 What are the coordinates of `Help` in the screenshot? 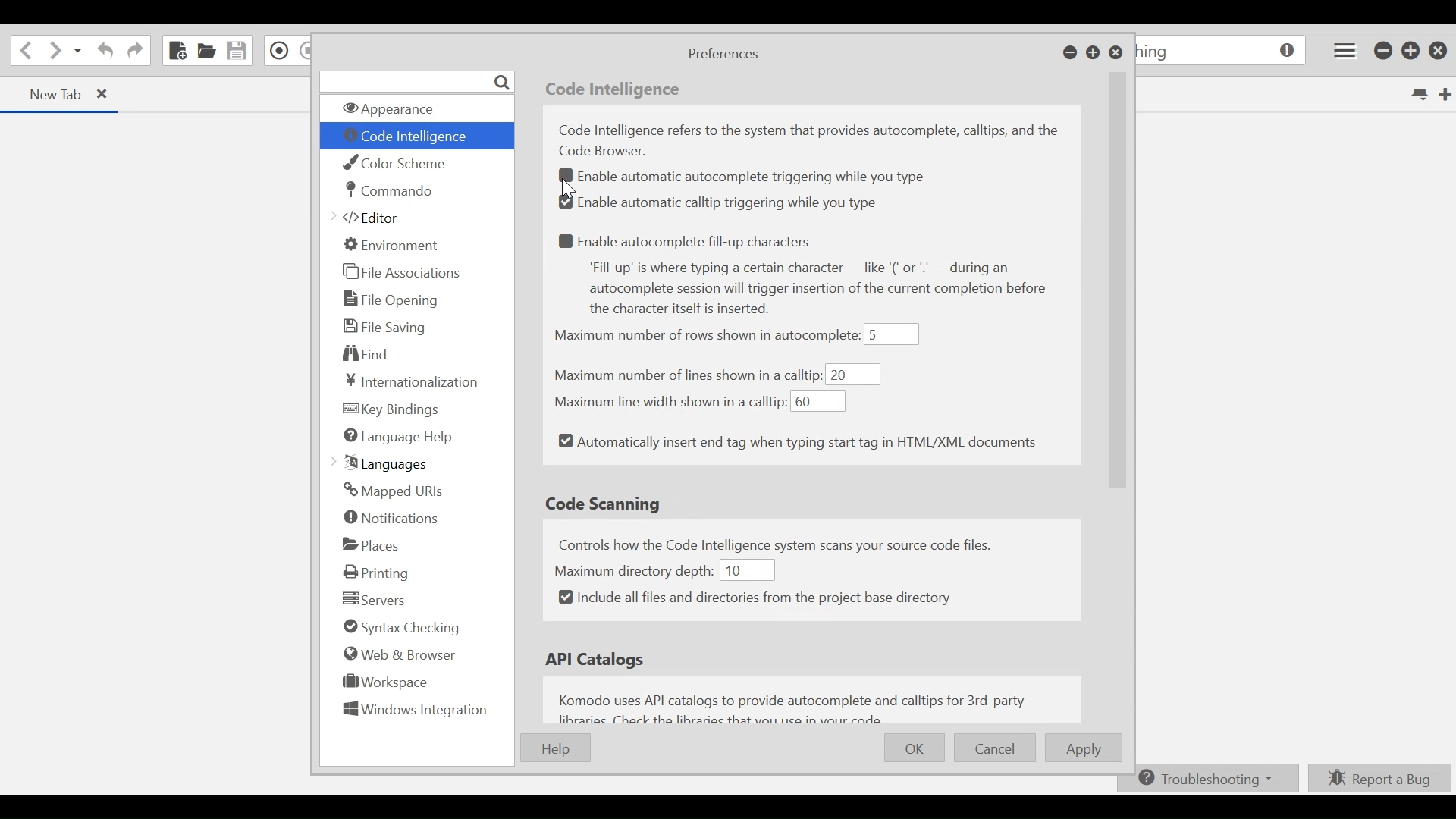 It's located at (554, 748).